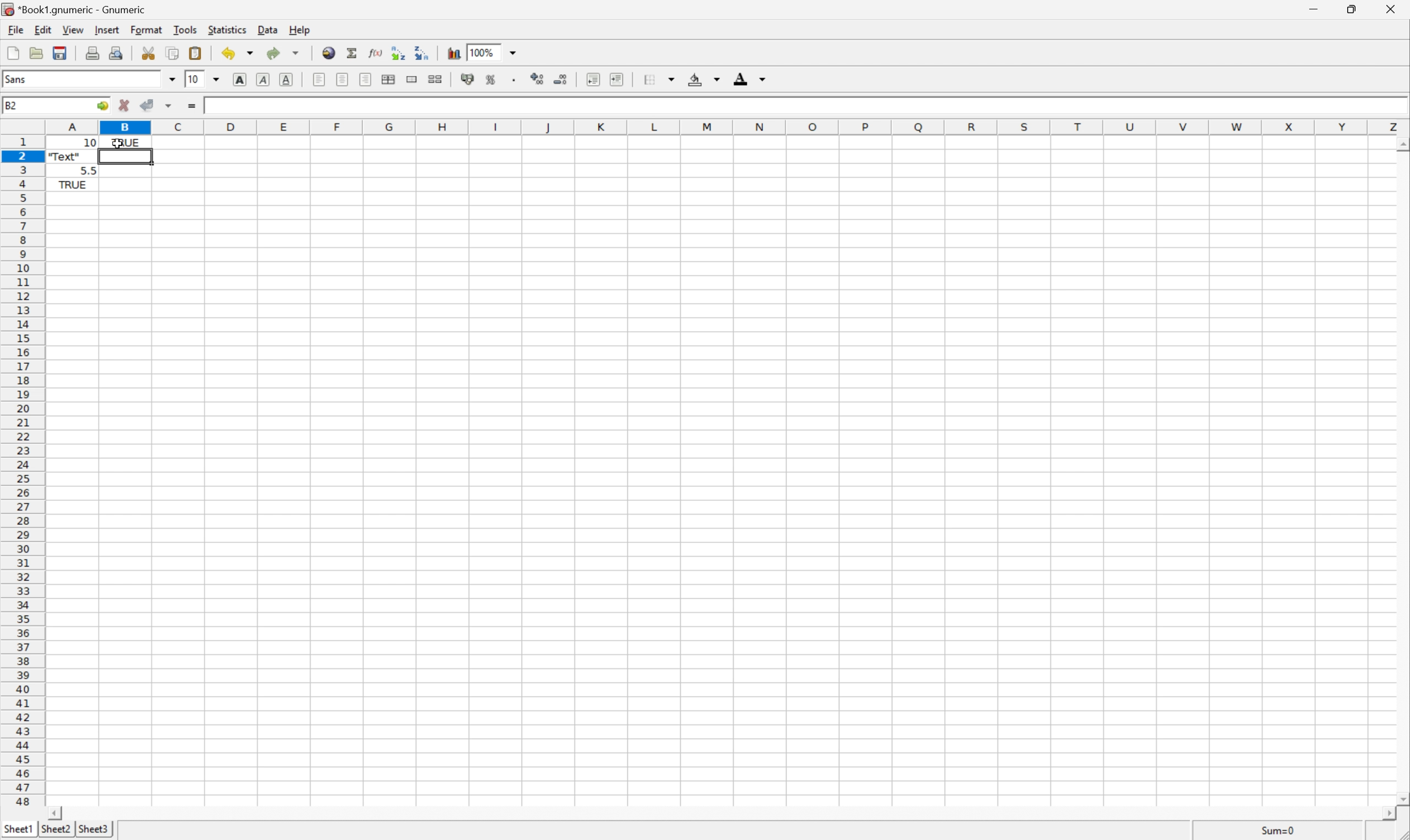 The image size is (1410, 840). What do you see at coordinates (60, 52) in the screenshot?
I see `Save current workbook` at bounding box center [60, 52].